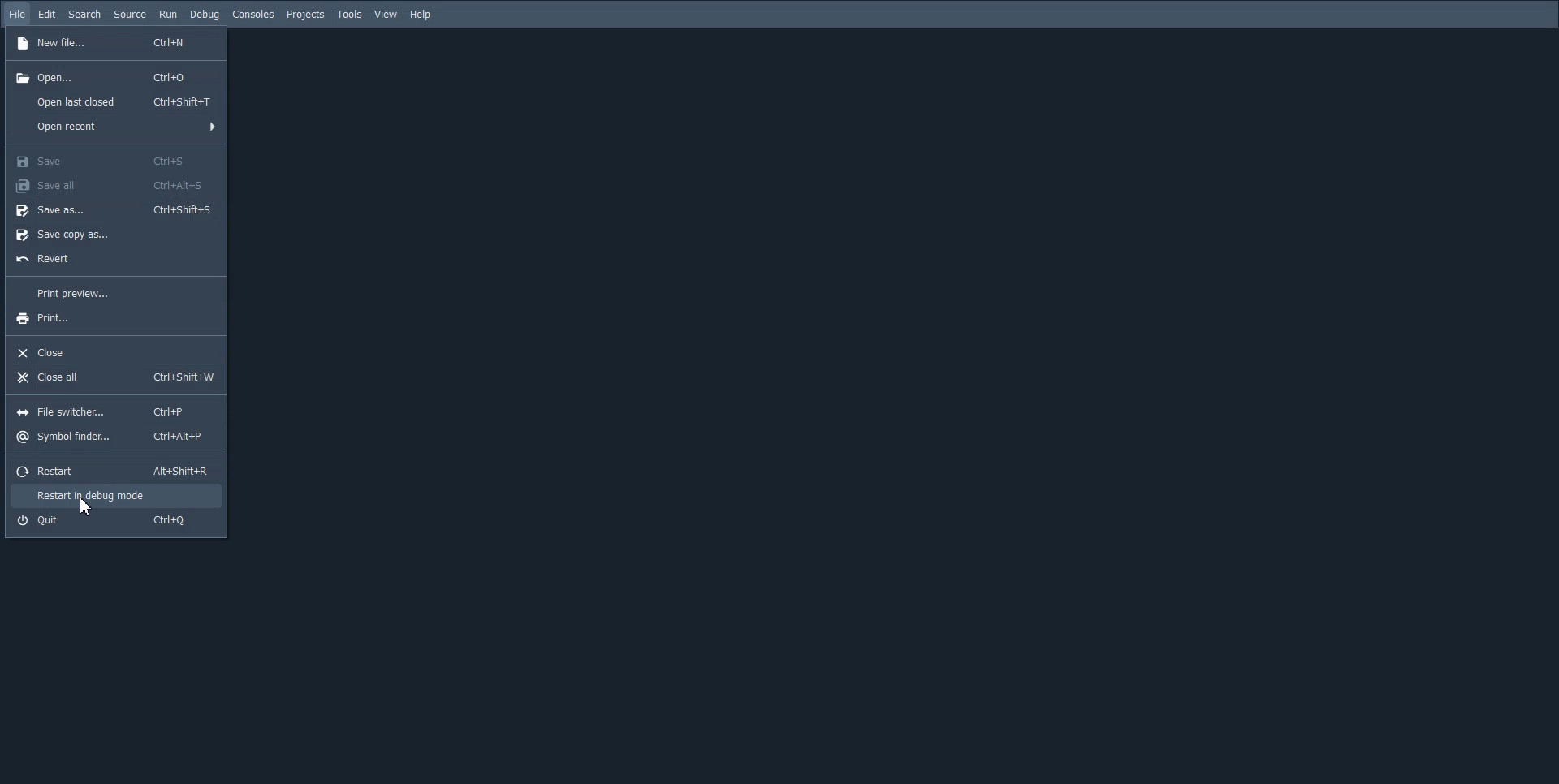 The width and height of the screenshot is (1559, 784). Describe the element at coordinates (112, 259) in the screenshot. I see `Revert` at that location.